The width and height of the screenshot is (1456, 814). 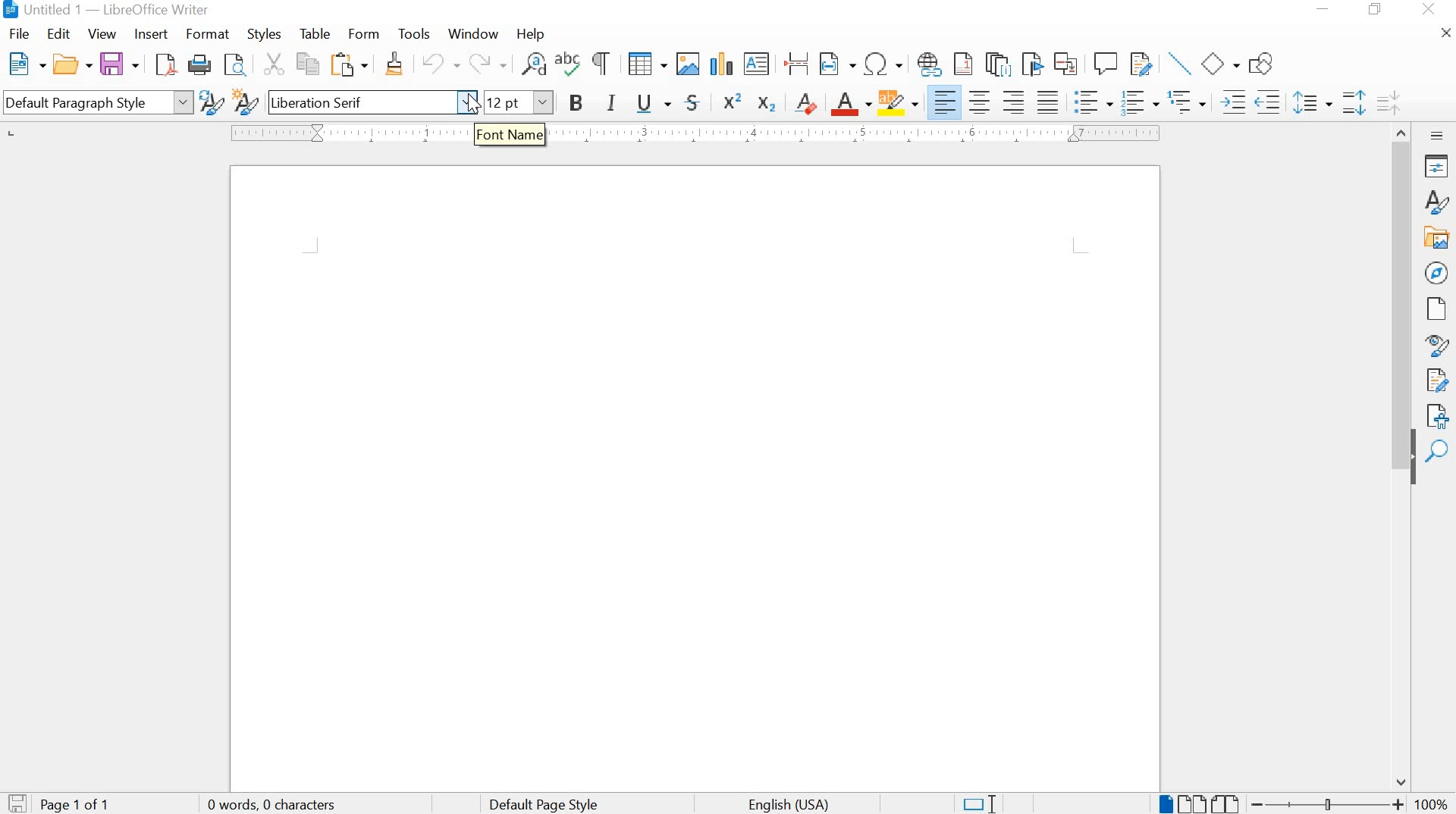 I want to click on ITALIC, so click(x=613, y=101).